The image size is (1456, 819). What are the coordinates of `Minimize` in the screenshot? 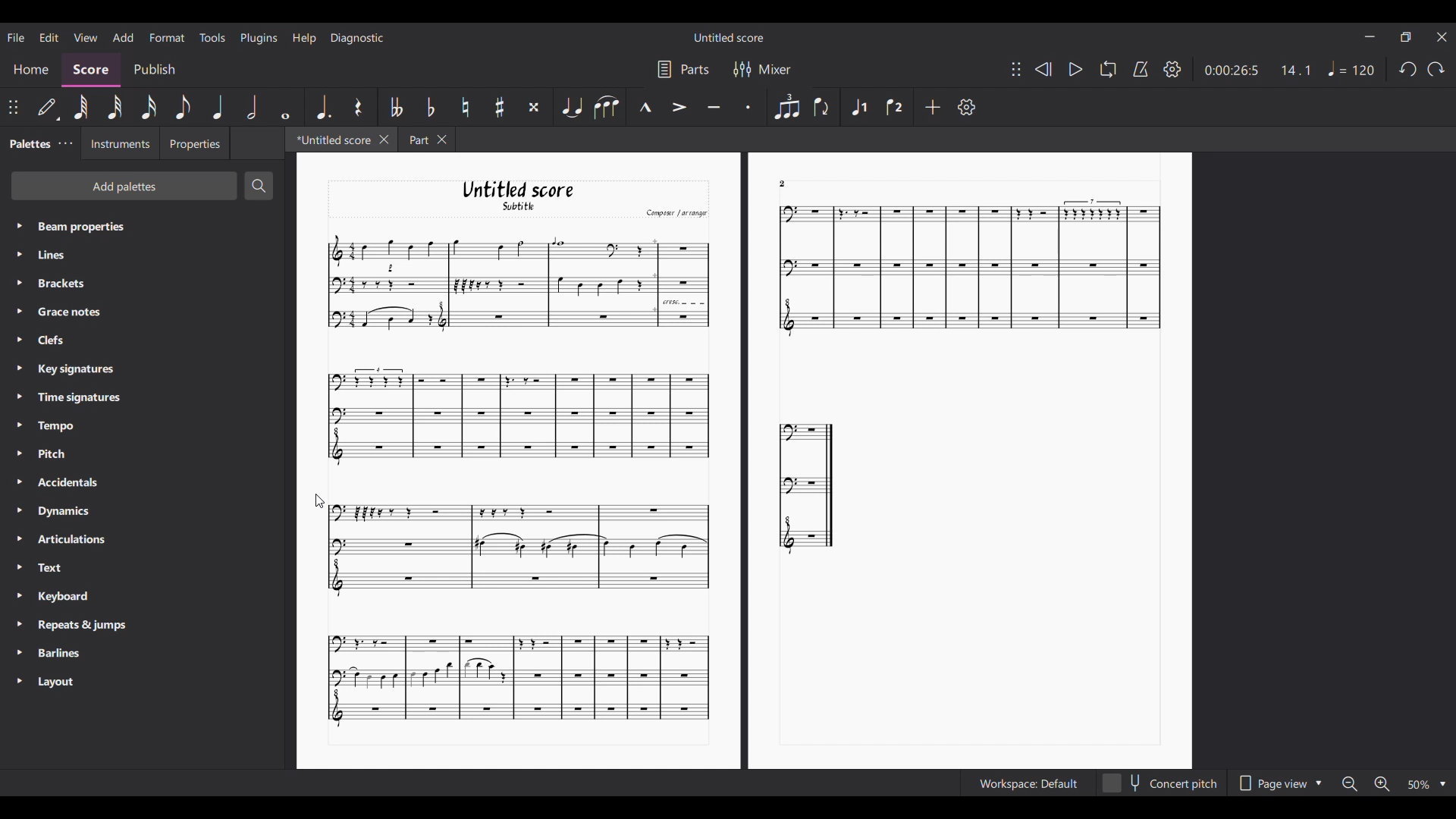 It's located at (1370, 36).